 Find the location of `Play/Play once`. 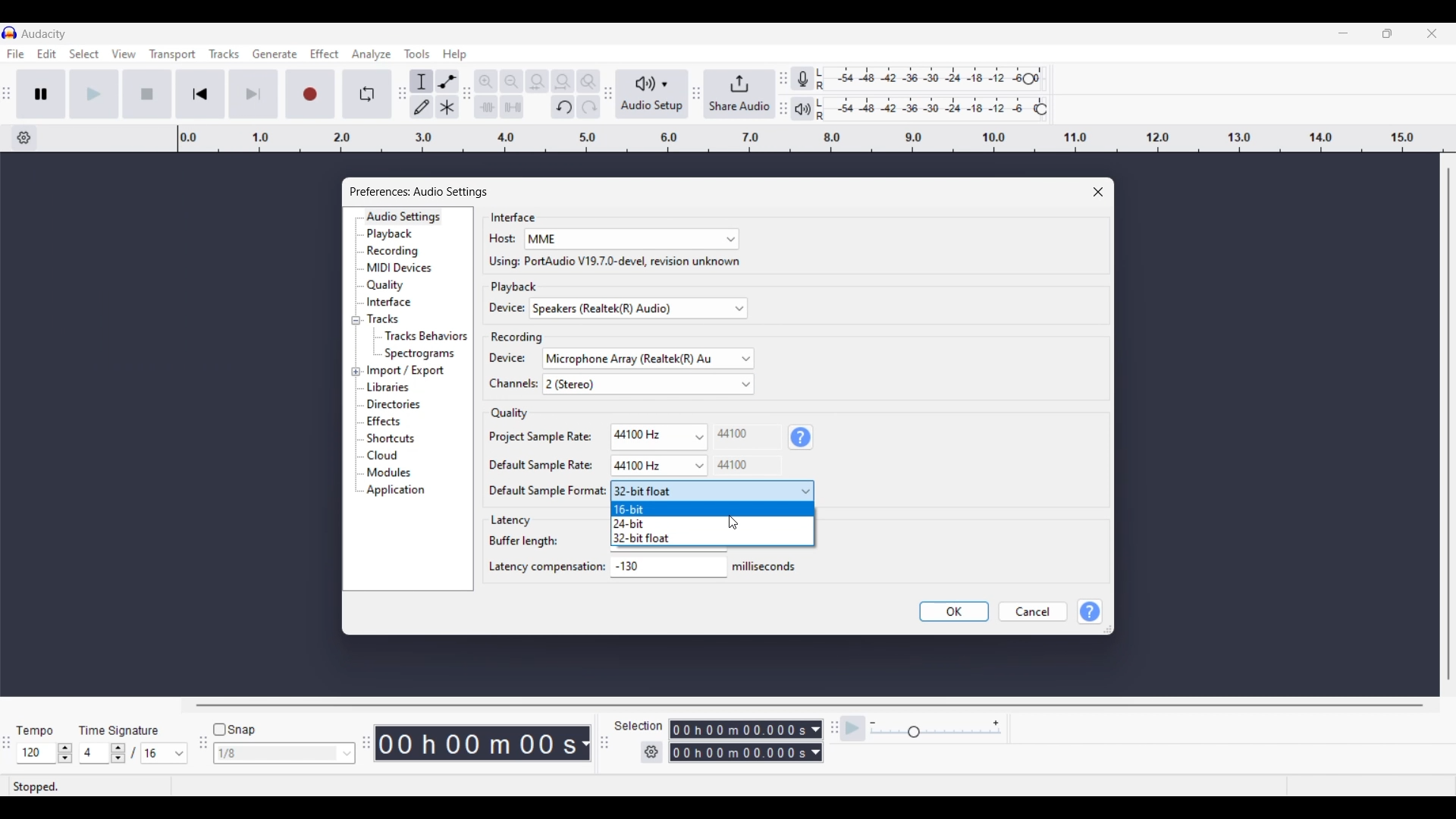

Play/Play once is located at coordinates (94, 93).